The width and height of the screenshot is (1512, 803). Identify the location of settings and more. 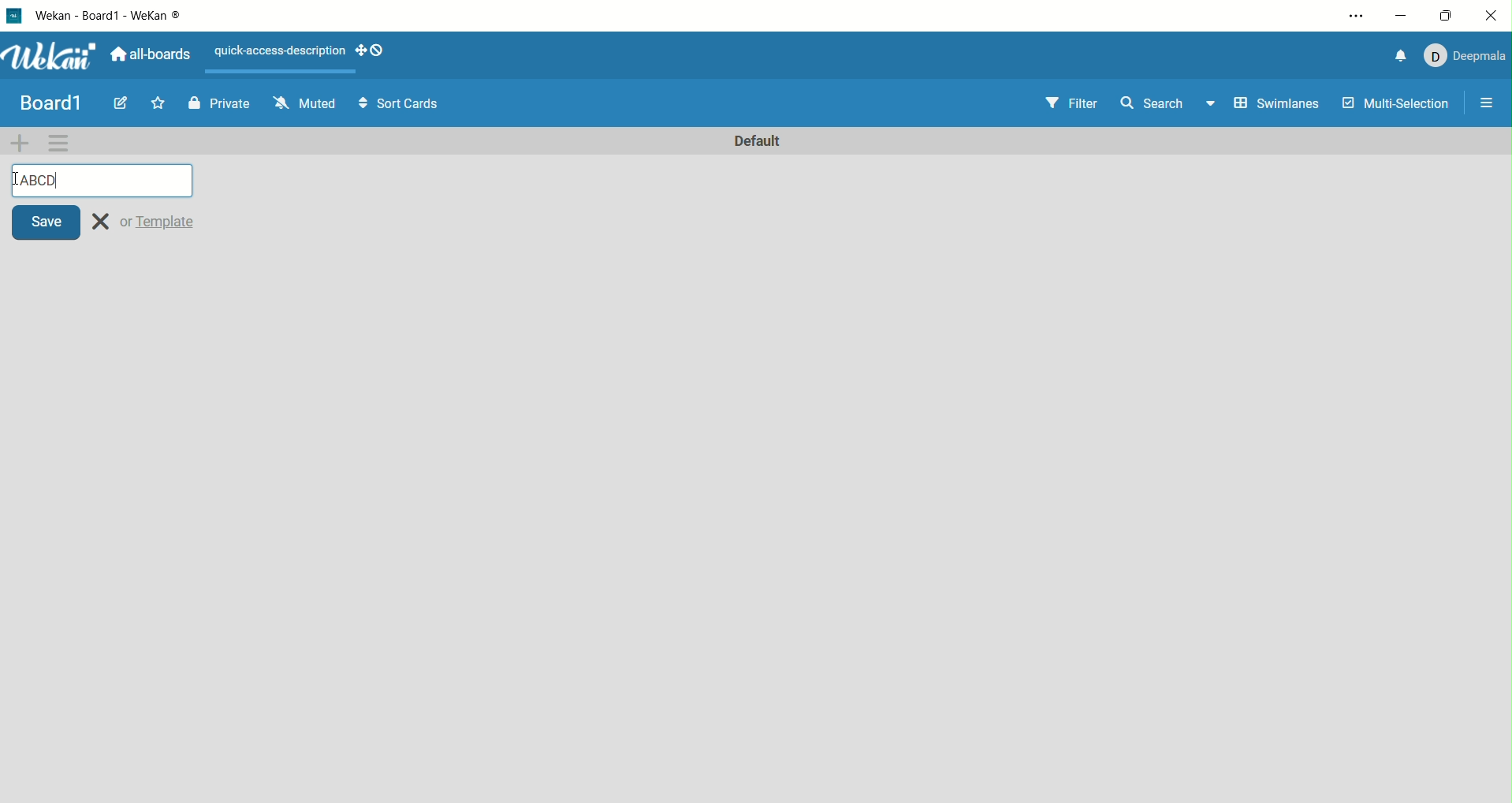
(1356, 16).